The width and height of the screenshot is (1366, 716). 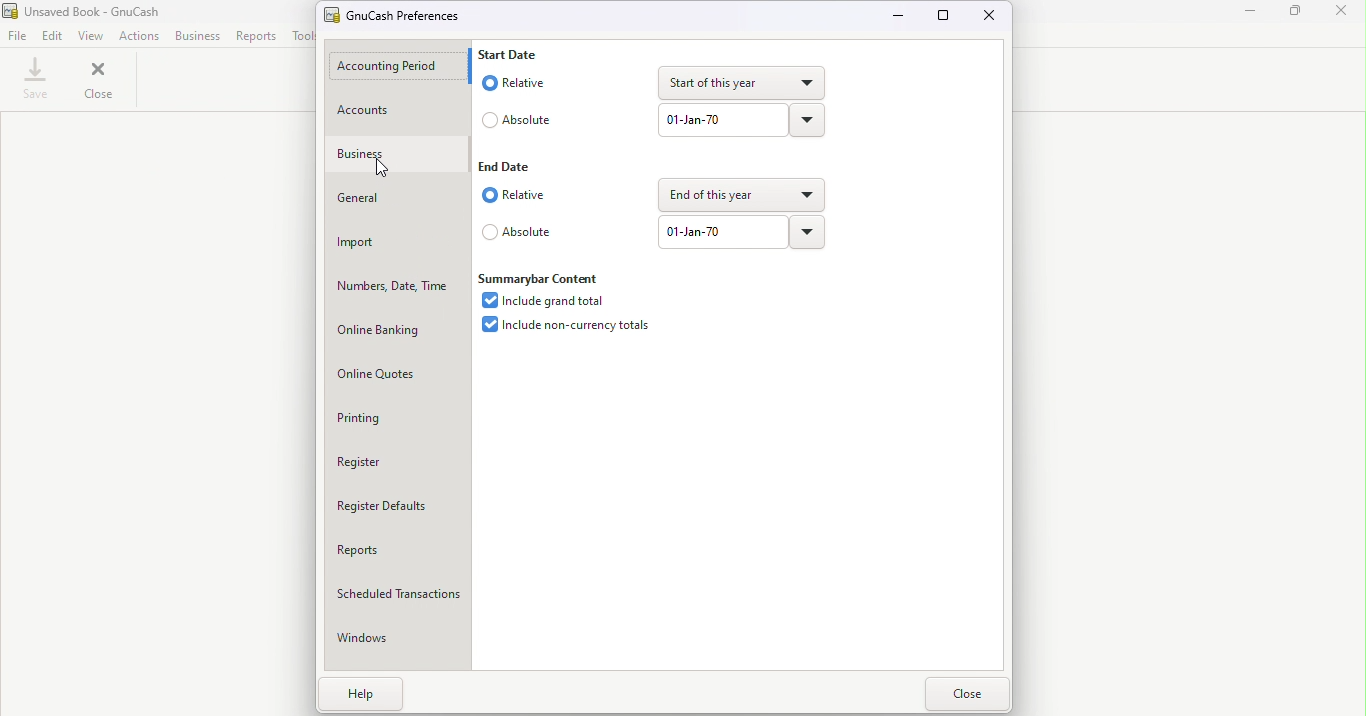 What do you see at coordinates (98, 83) in the screenshot?
I see `Close` at bounding box center [98, 83].